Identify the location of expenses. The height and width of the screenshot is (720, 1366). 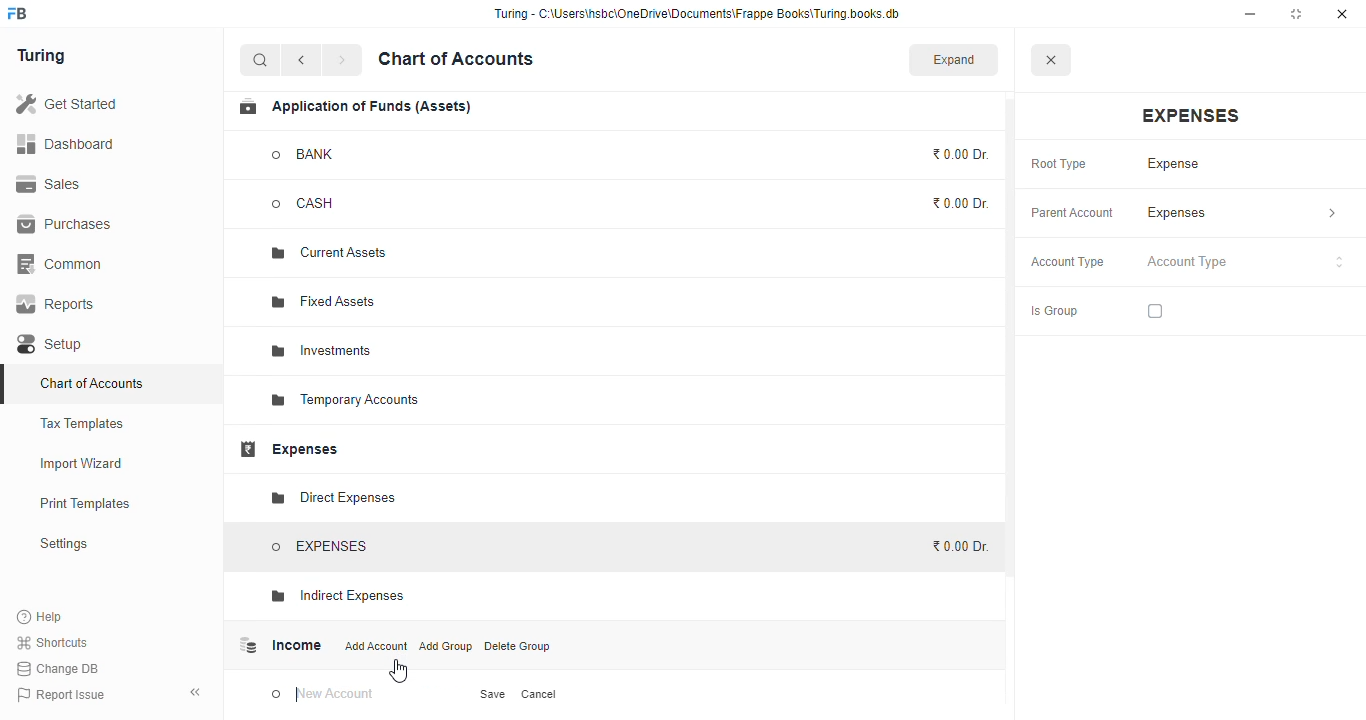
(1191, 116).